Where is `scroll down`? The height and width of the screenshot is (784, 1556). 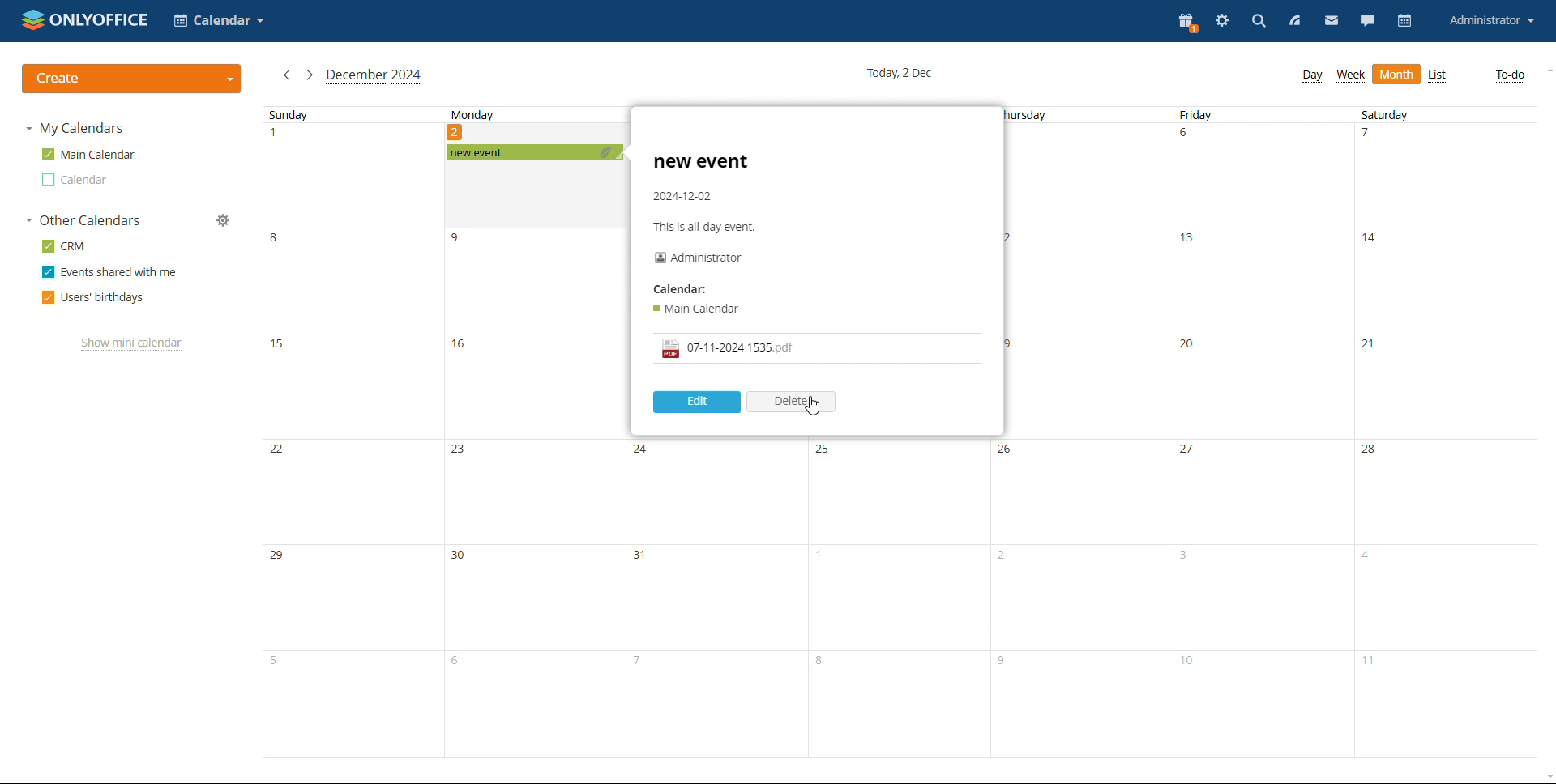 scroll down is located at coordinates (1546, 776).